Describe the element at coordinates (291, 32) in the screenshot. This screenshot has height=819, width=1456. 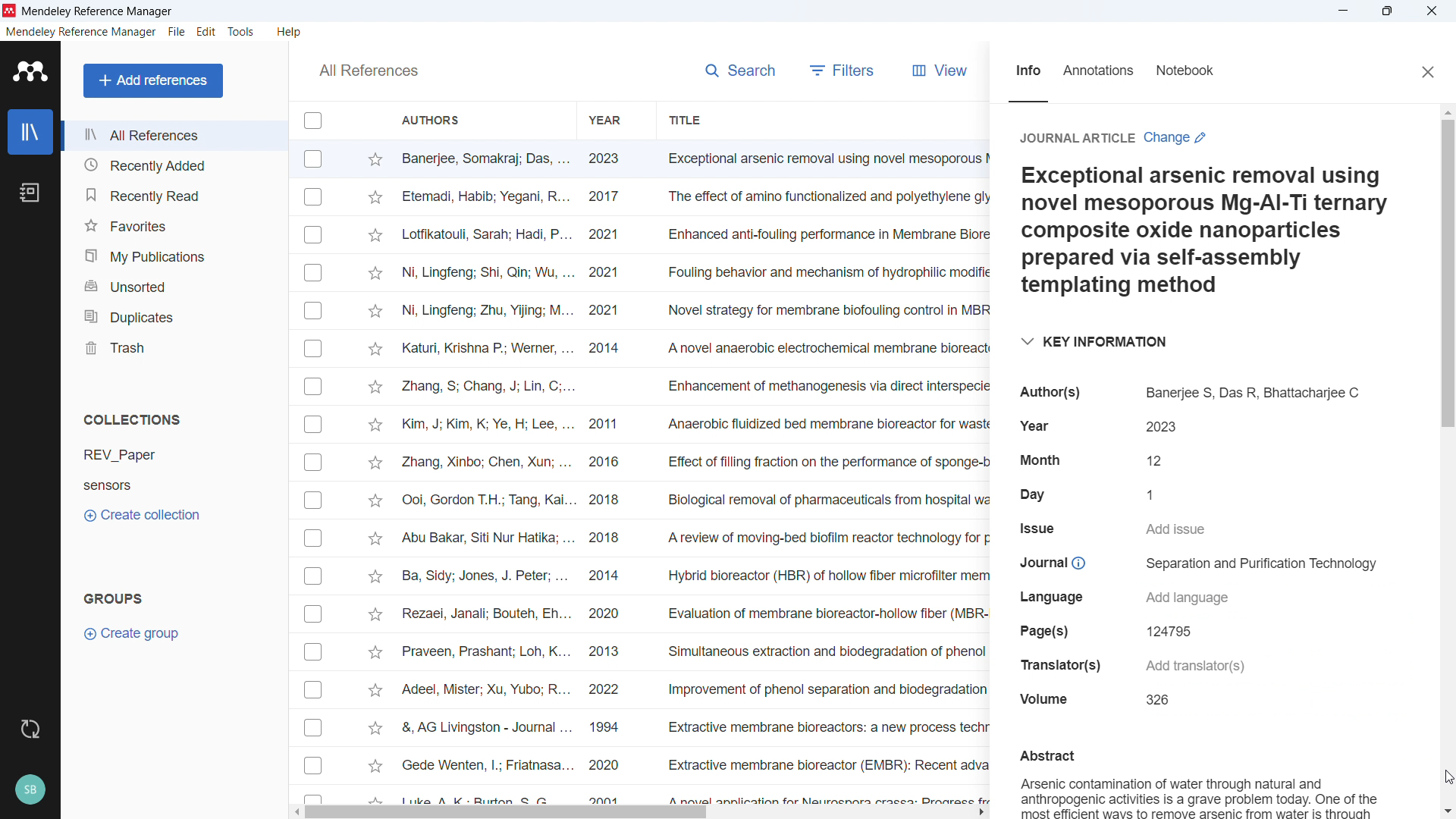
I see `help ` at that location.